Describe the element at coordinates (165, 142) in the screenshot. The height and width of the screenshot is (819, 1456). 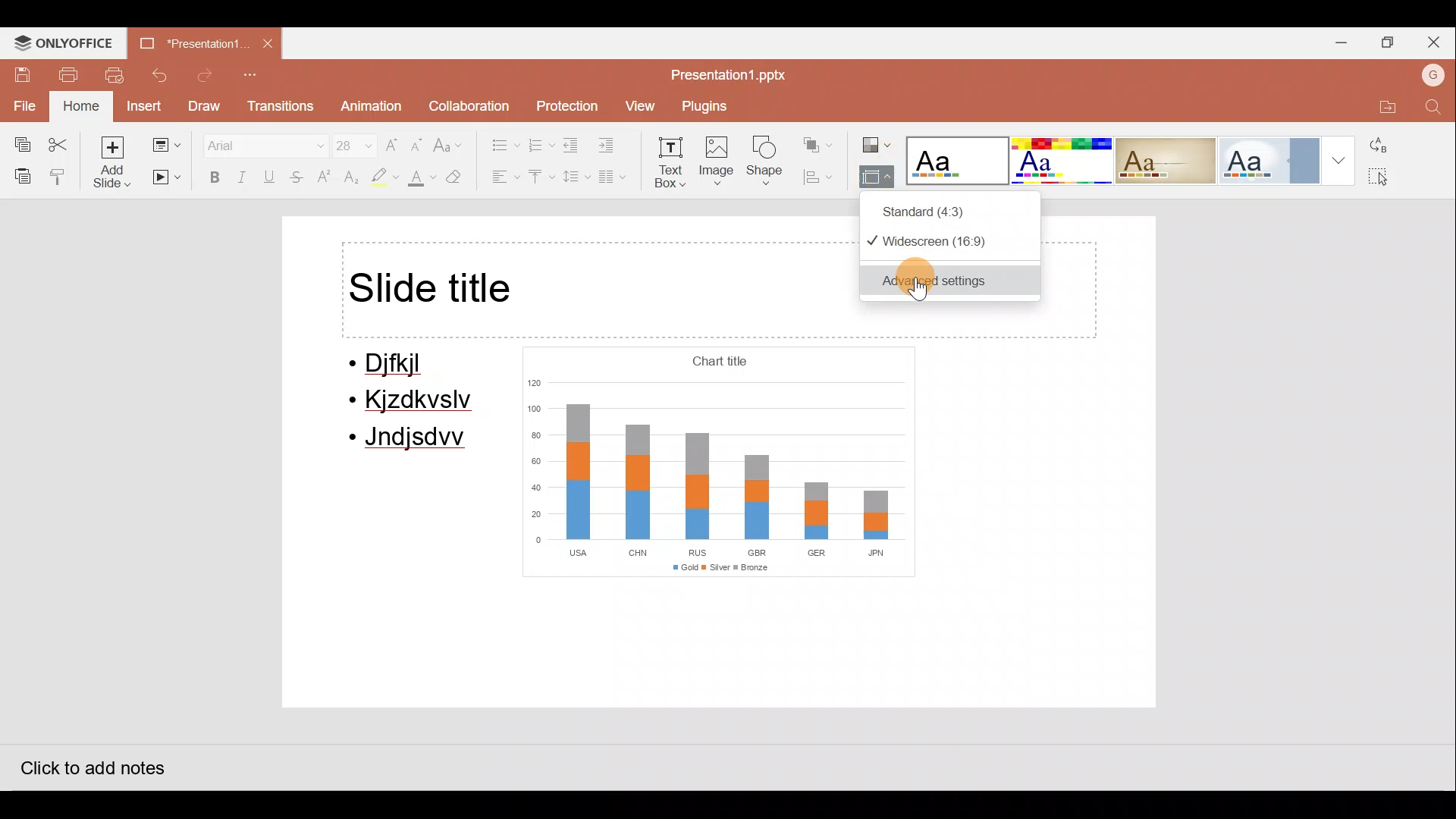
I see `Change slide layout` at that location.